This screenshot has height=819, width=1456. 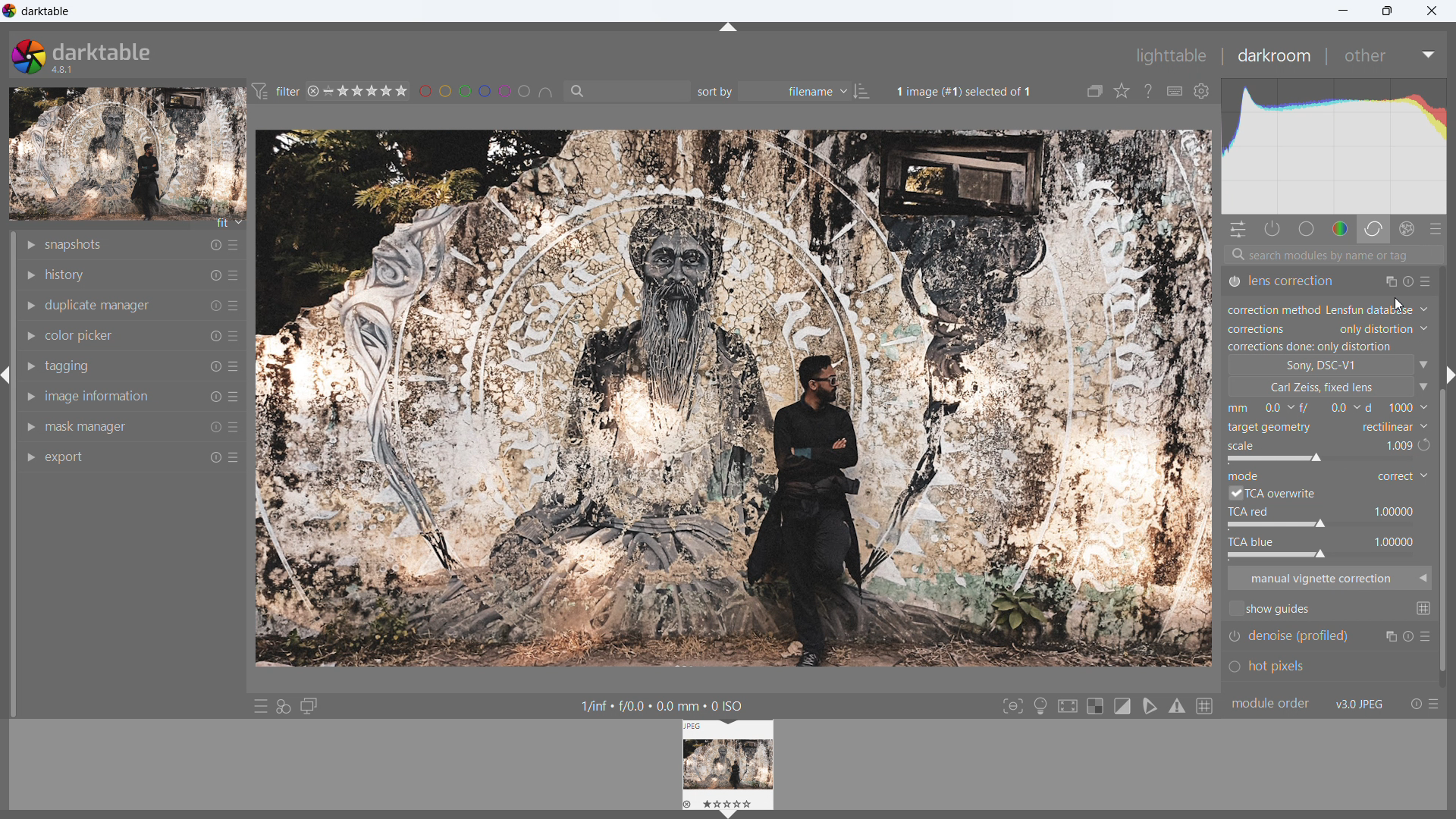 What do you see at coordinates (1330, 365) in the screenshot?
I see `camera type` at bounding box center [1330, 365].